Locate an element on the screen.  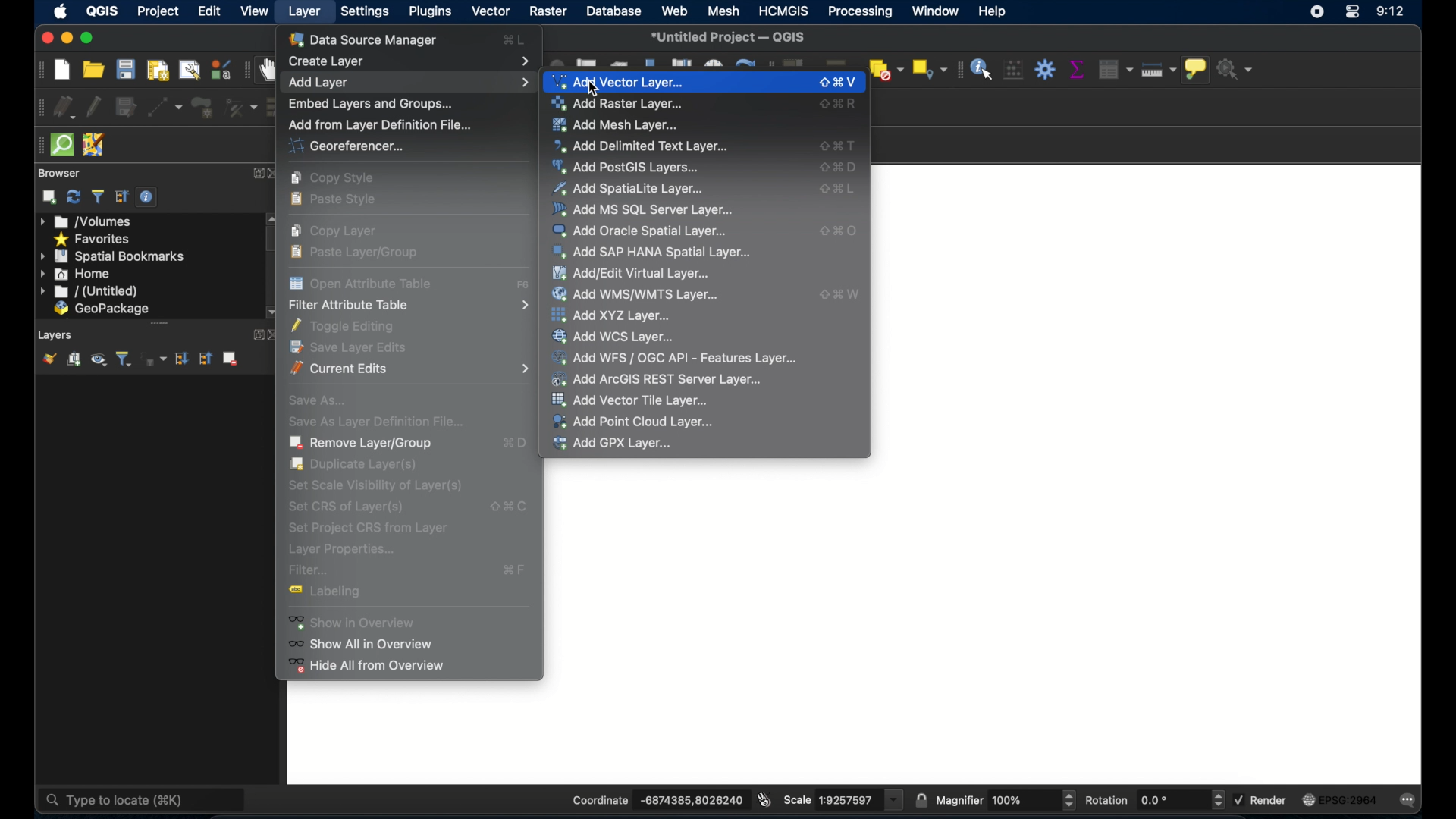
Add Vector Tile Layer... is located at coordinates (637, 400).